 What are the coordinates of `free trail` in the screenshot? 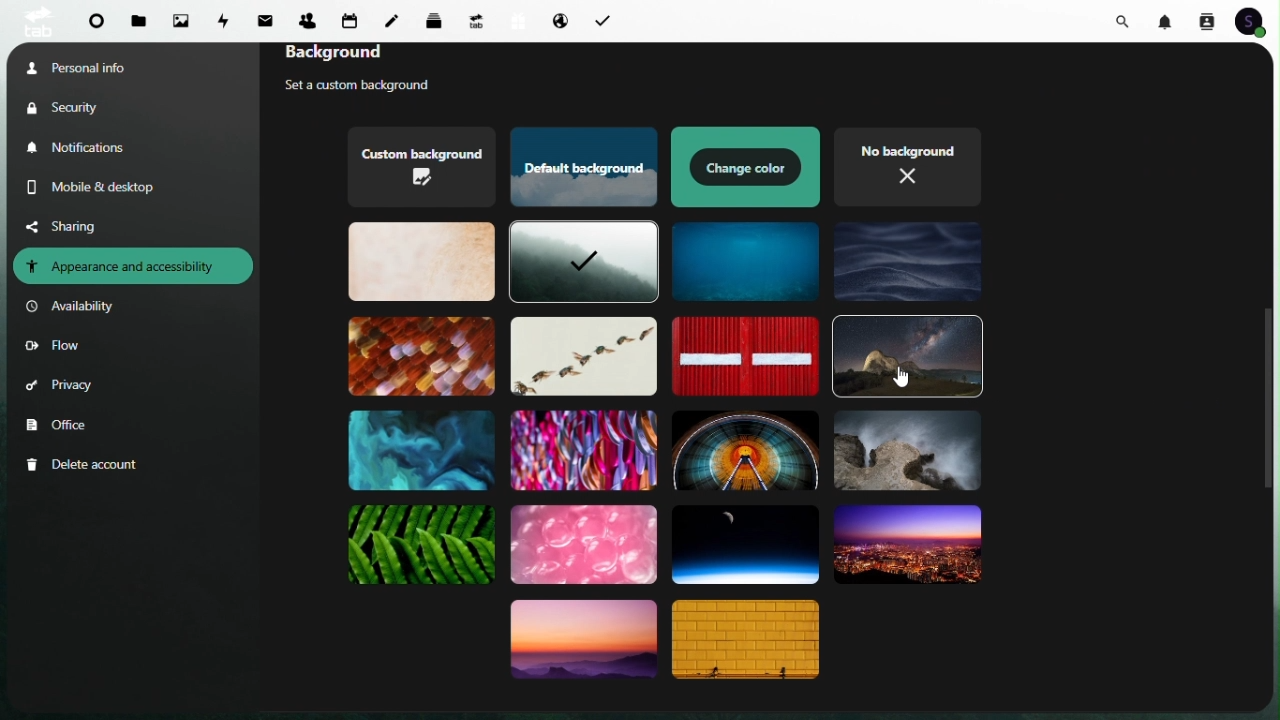 It's located at (514, 21).